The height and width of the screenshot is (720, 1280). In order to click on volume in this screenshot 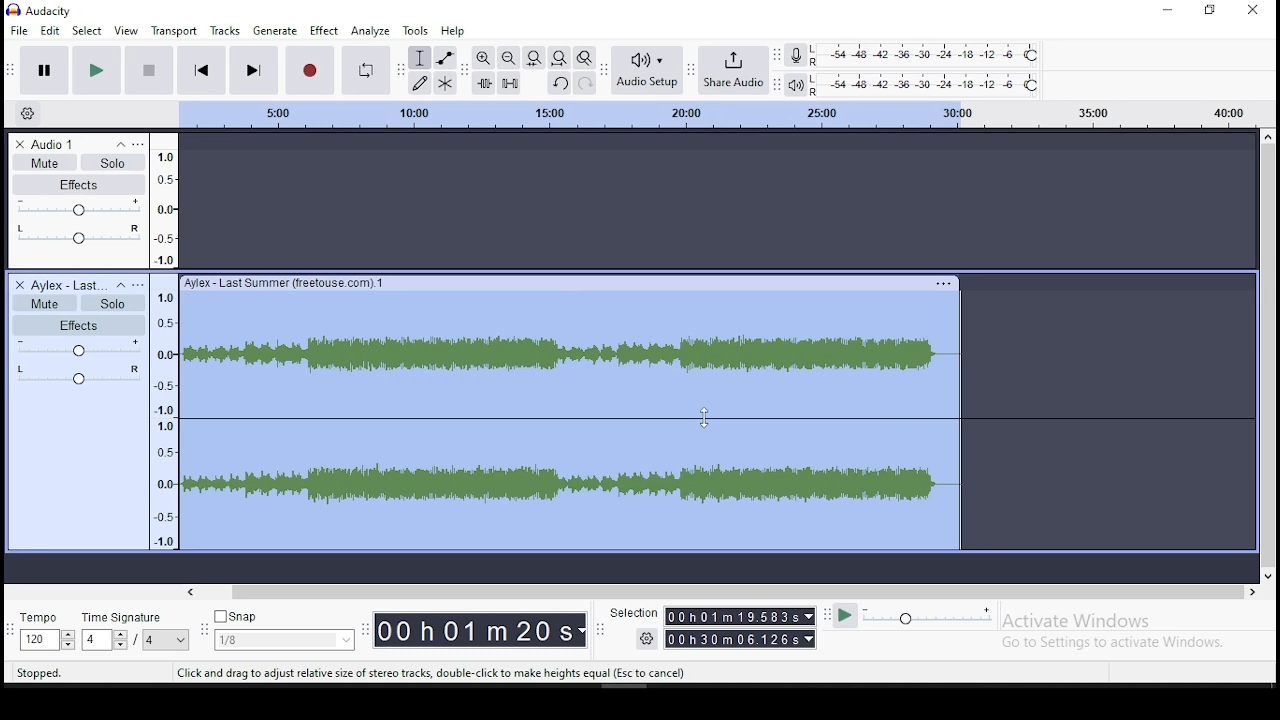, I will do `click(77, 348)`.